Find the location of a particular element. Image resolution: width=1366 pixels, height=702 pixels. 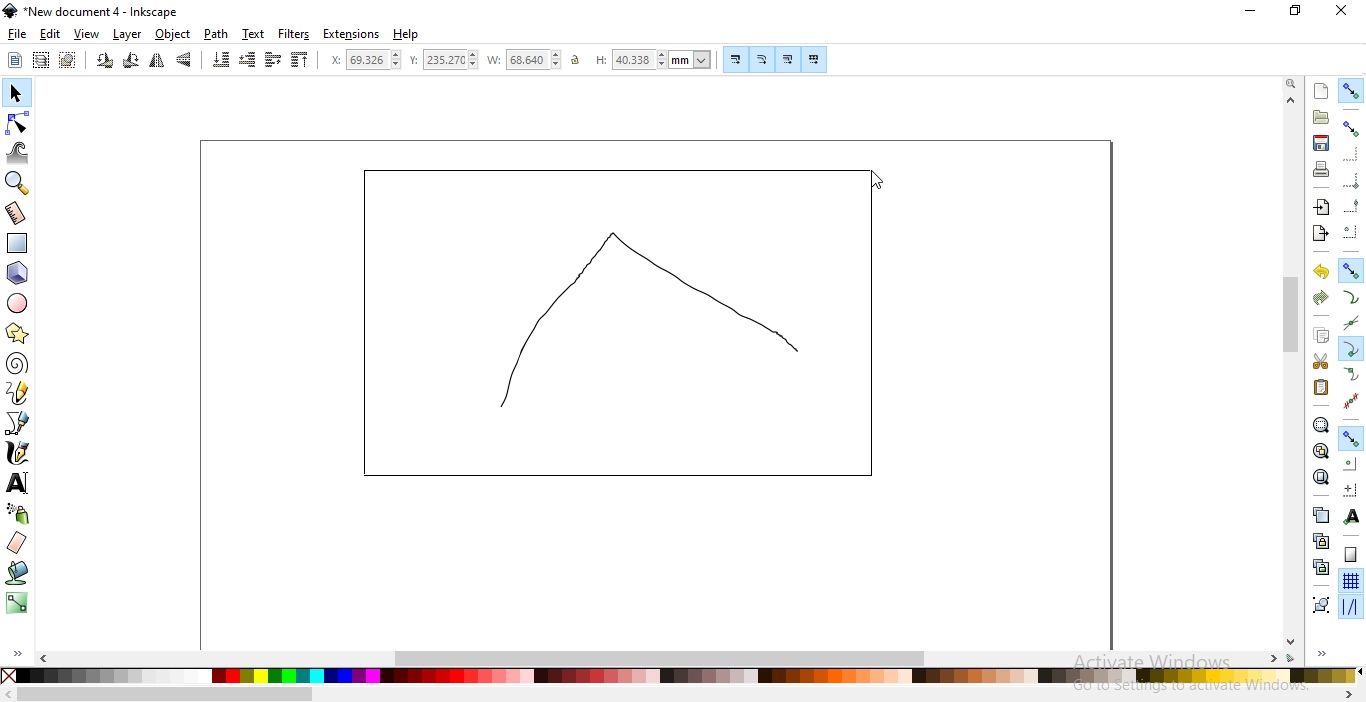

snap bounding boxes is located at coordinates (1351, 127).